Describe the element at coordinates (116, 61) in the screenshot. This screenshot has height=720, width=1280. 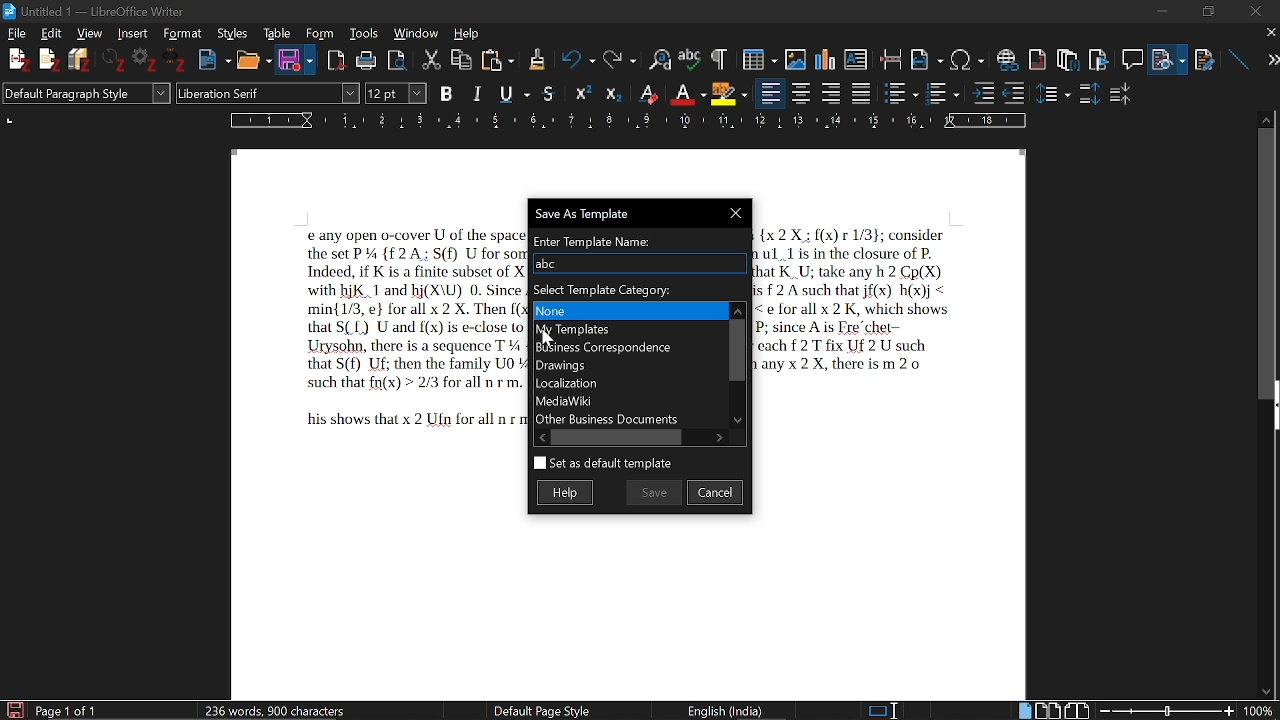
I see `` at that location.